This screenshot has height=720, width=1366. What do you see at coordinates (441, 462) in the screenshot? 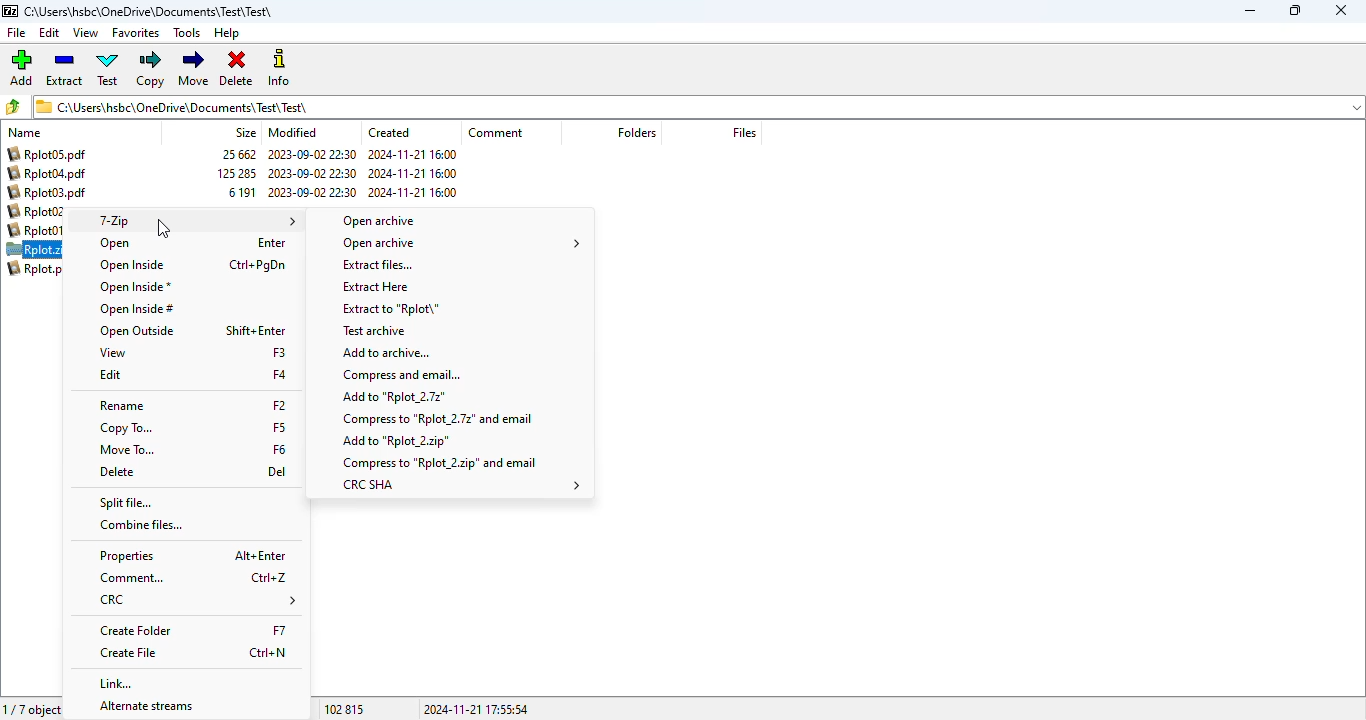
I see `compress to "Rplot_2.zip" file an email` at bounding box center [441, 462].